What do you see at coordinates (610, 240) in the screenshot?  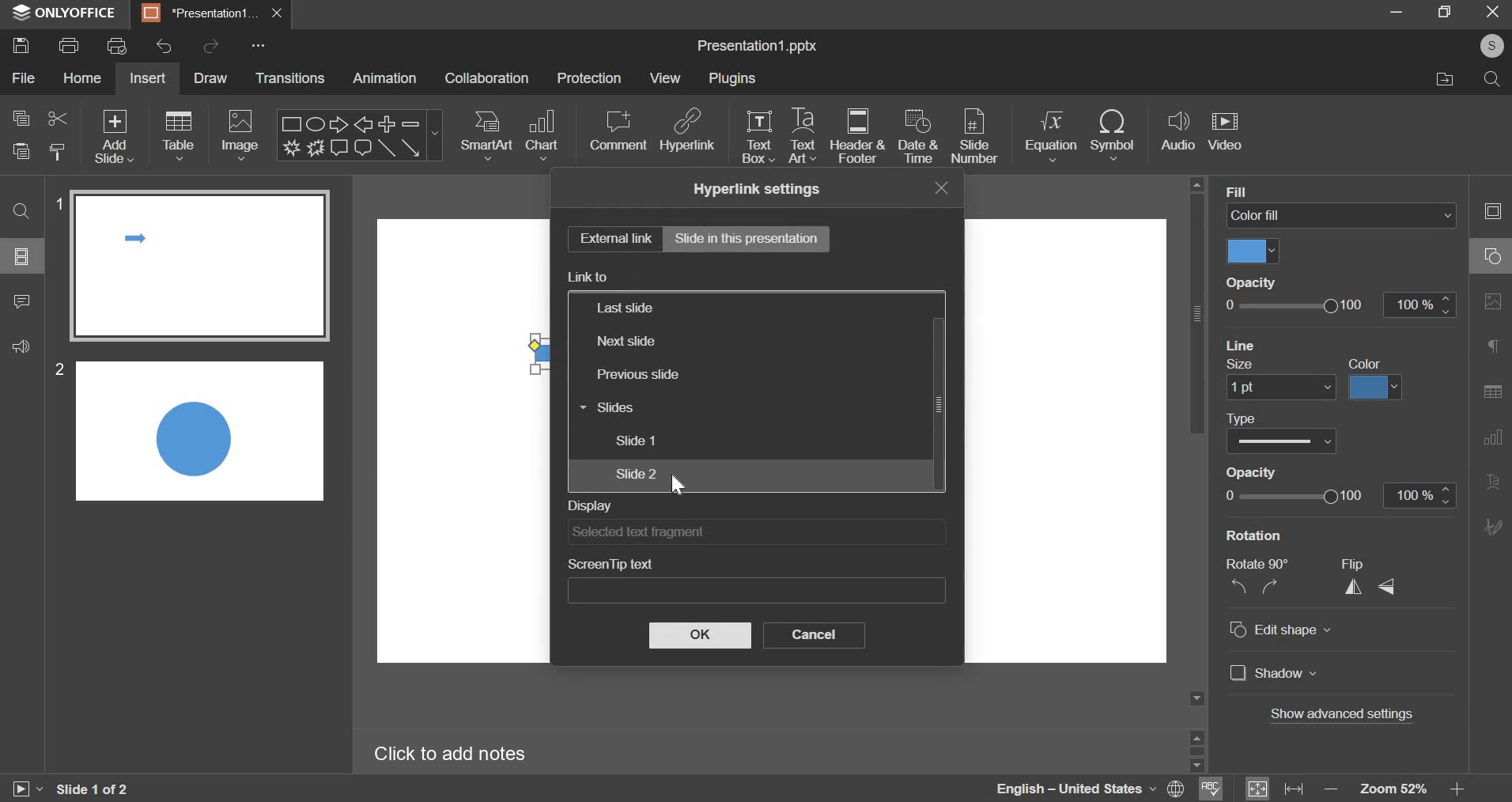 I see `external link` at bounding box center [610, 240].